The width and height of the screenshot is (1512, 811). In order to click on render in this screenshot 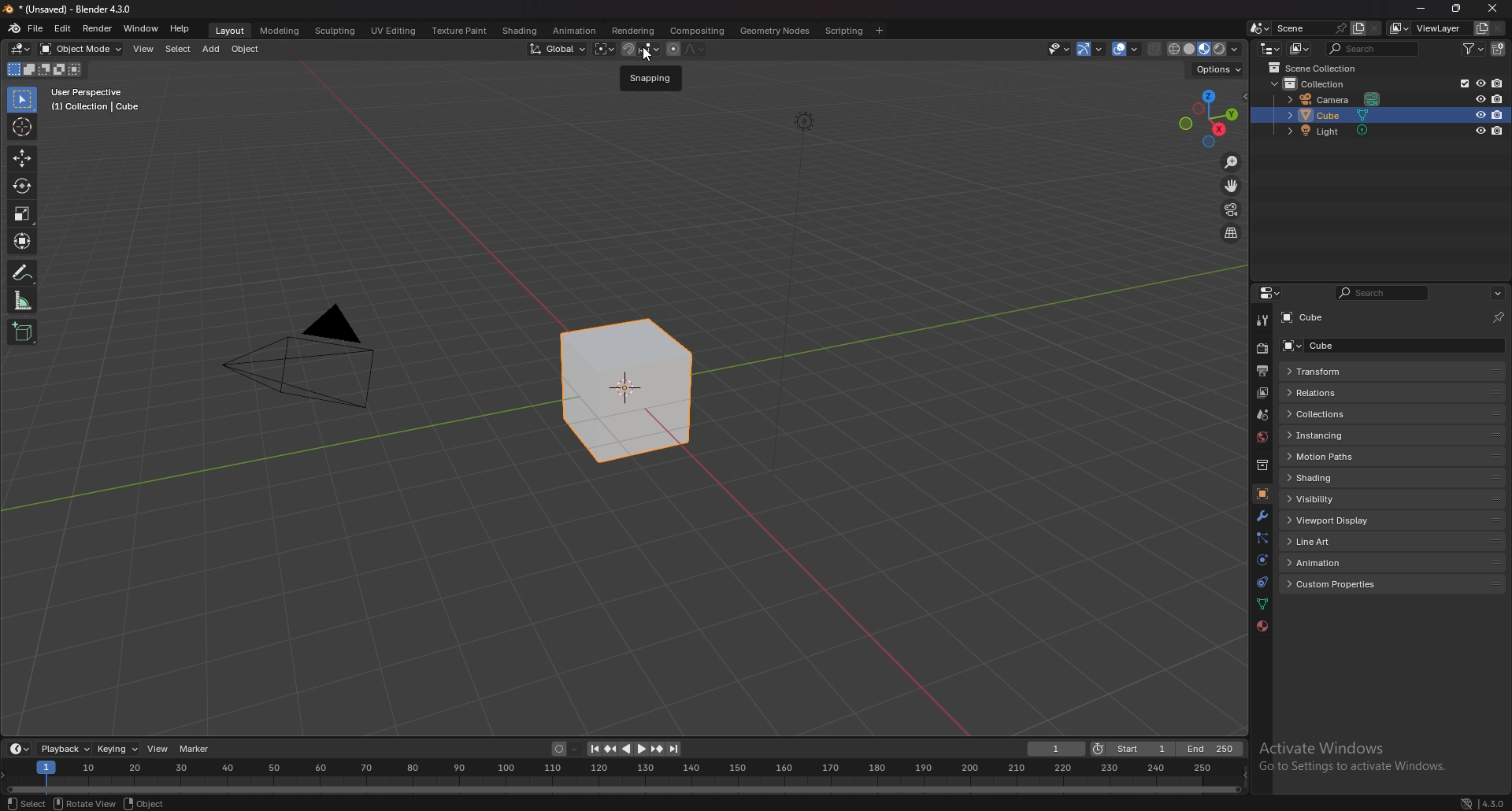, I will do `click(97, 29)`.